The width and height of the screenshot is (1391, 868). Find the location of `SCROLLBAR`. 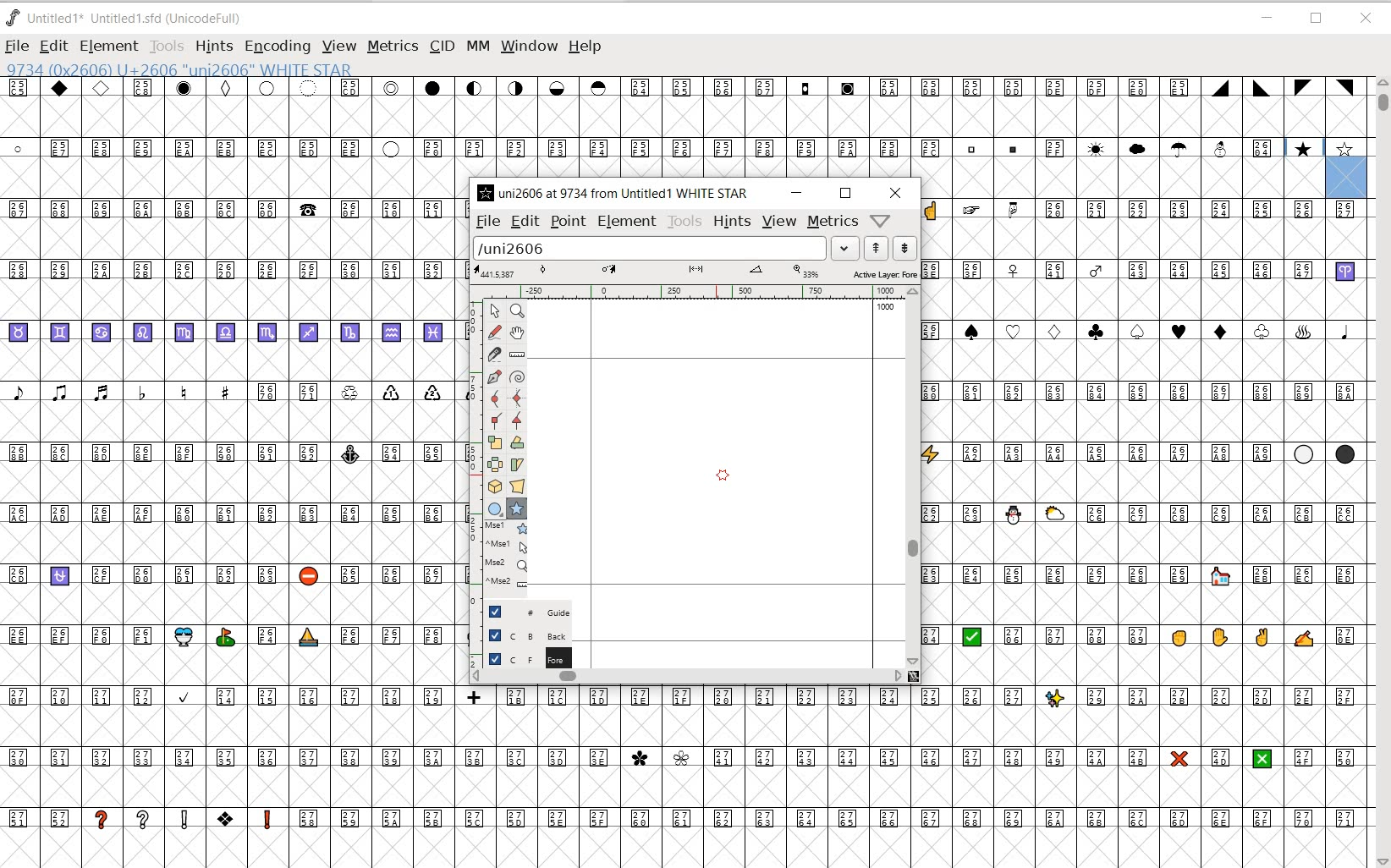

SCROLLBAR is located at coordinates (694, 678).